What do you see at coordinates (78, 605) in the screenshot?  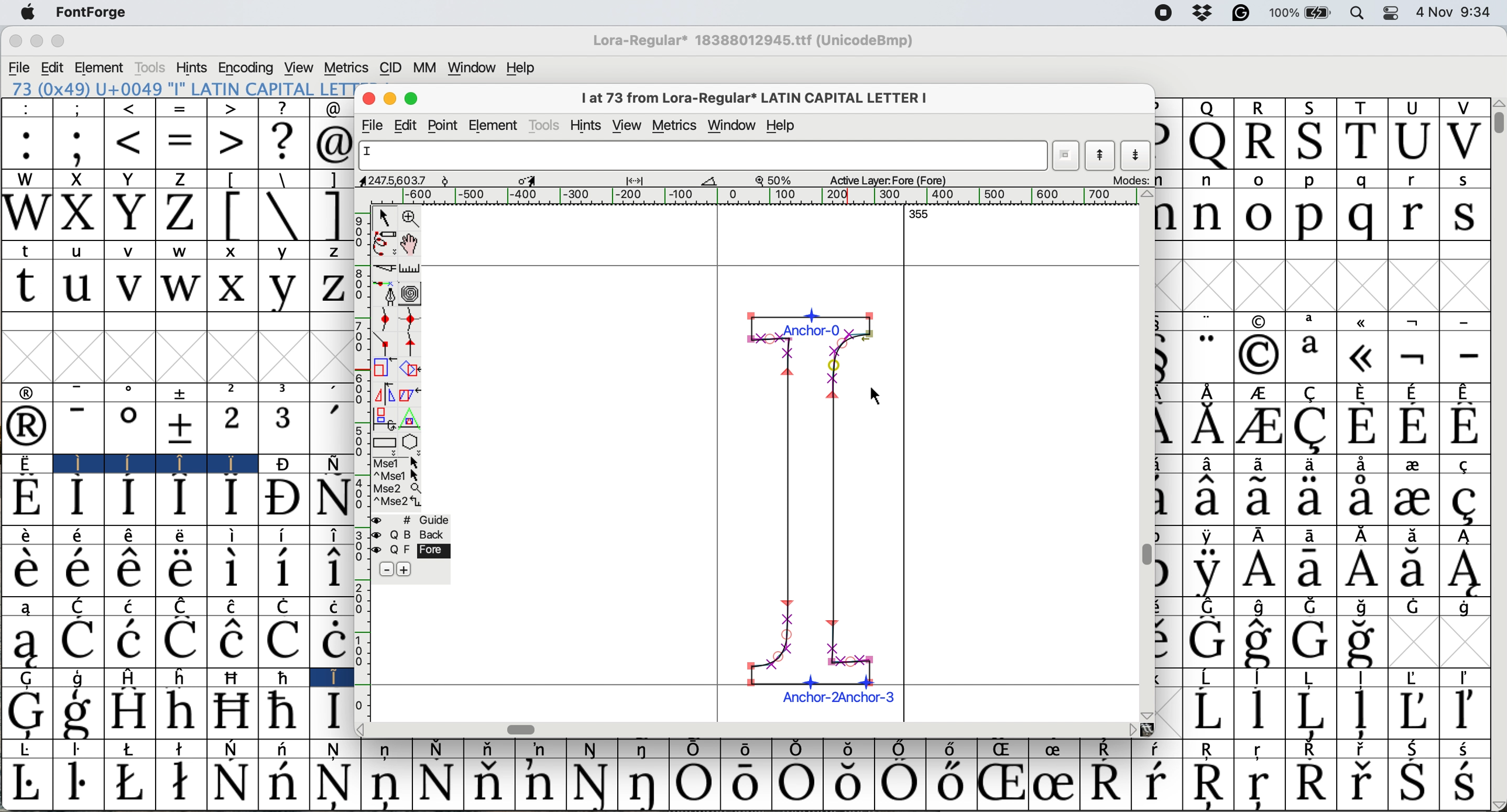 I see `C` at bounding box center [78, 605].